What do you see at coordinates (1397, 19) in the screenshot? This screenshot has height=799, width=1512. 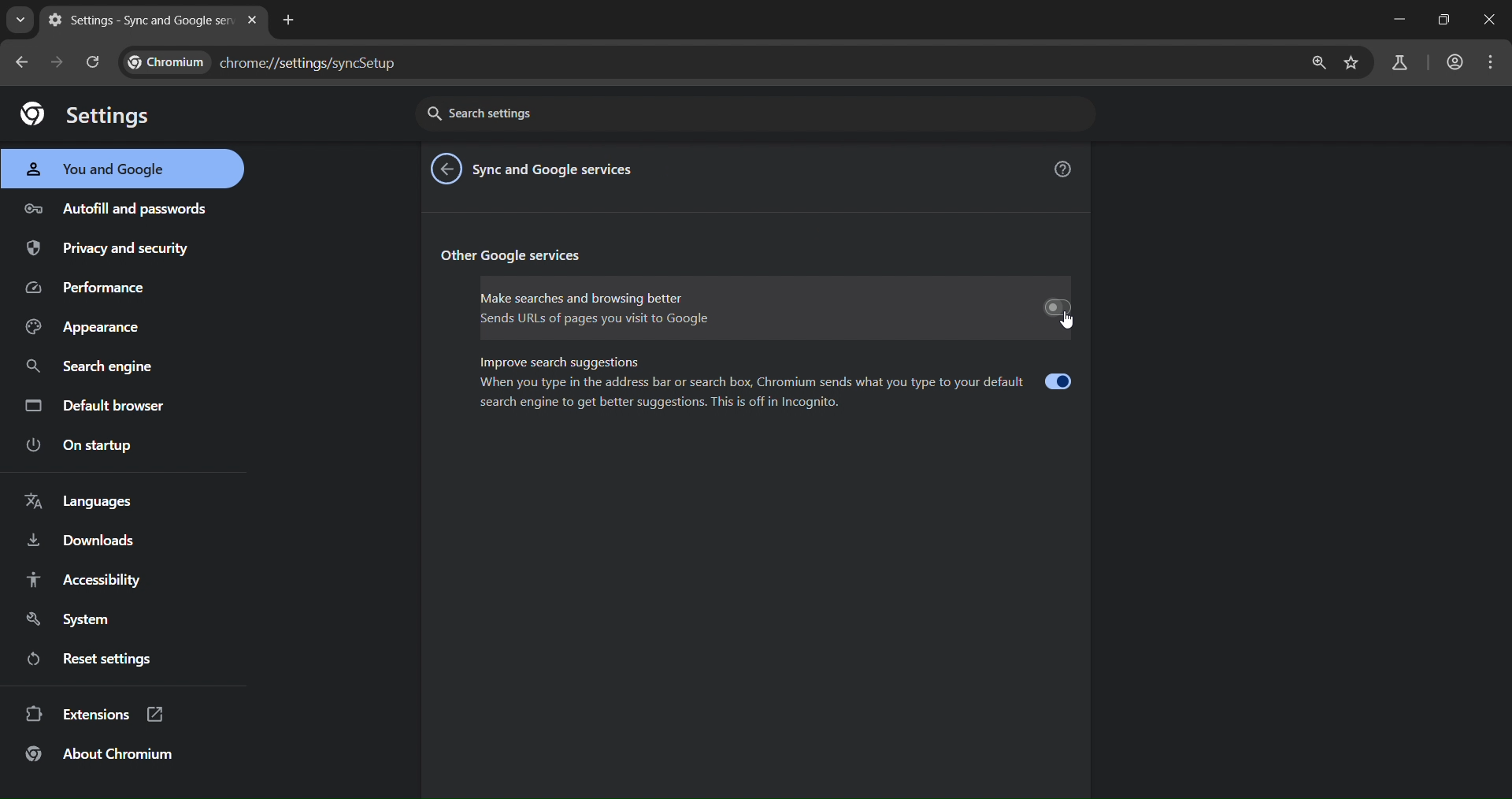 I see `minimize` at bounding box center [1397, 19].